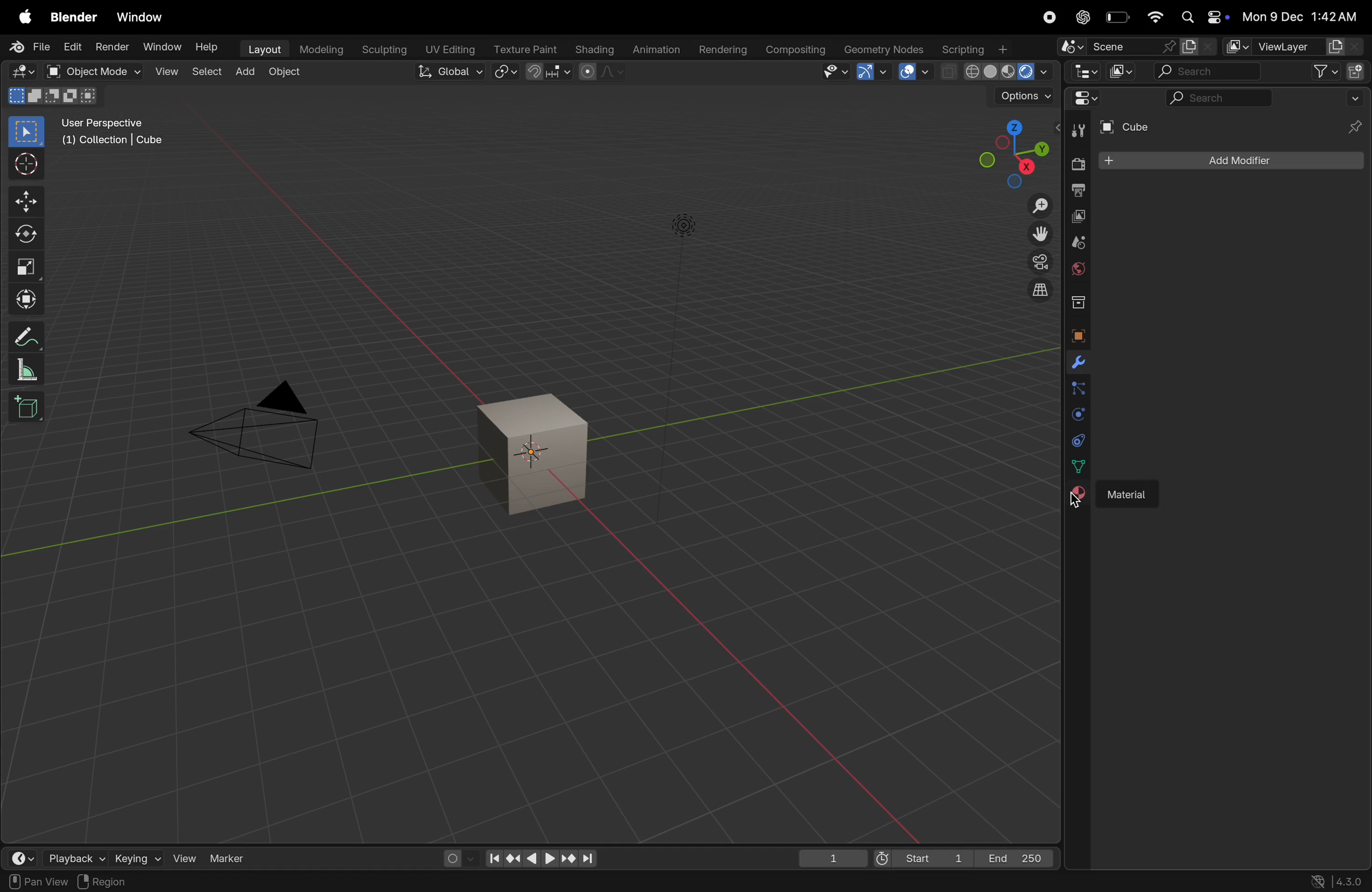 Image resolution: width=1372 pixels, height=892 pixels. Describe the element at coordinates (1076, 218) in the screenshot. I see `view layer` at that location.